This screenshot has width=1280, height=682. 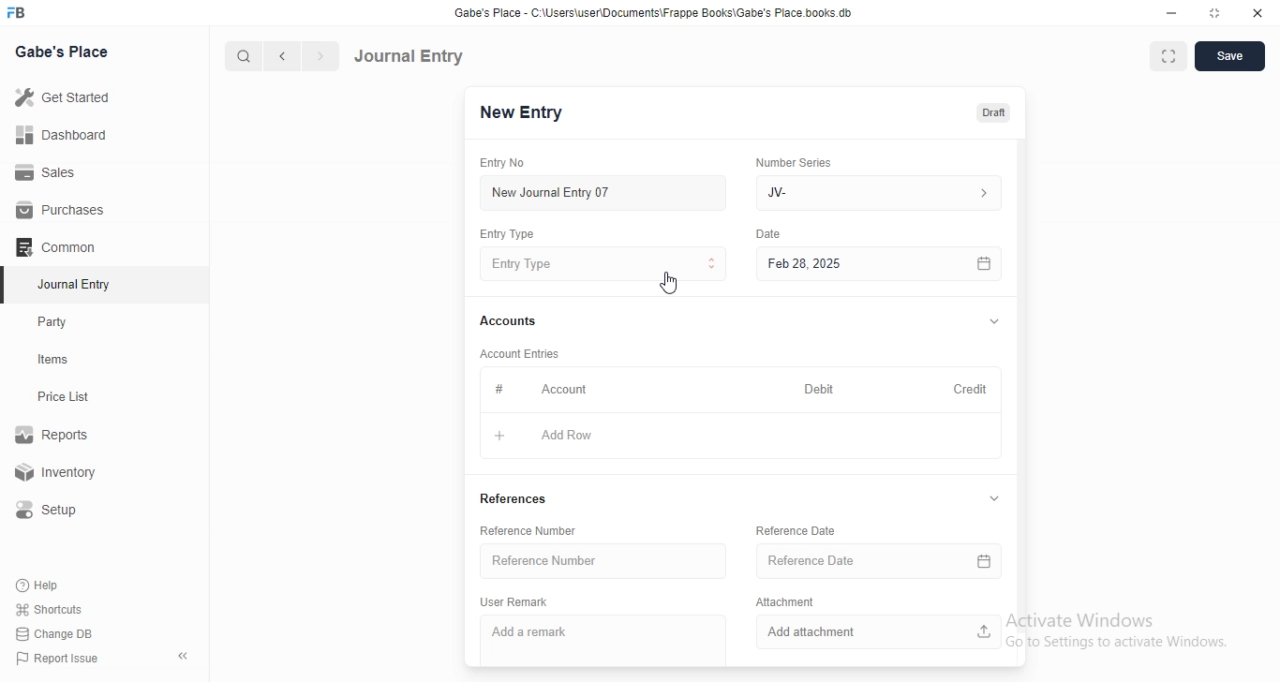 What do you see at coordinates (993, 113) in the screenshot?
I see `Draft` at bounding box center [993, 113].